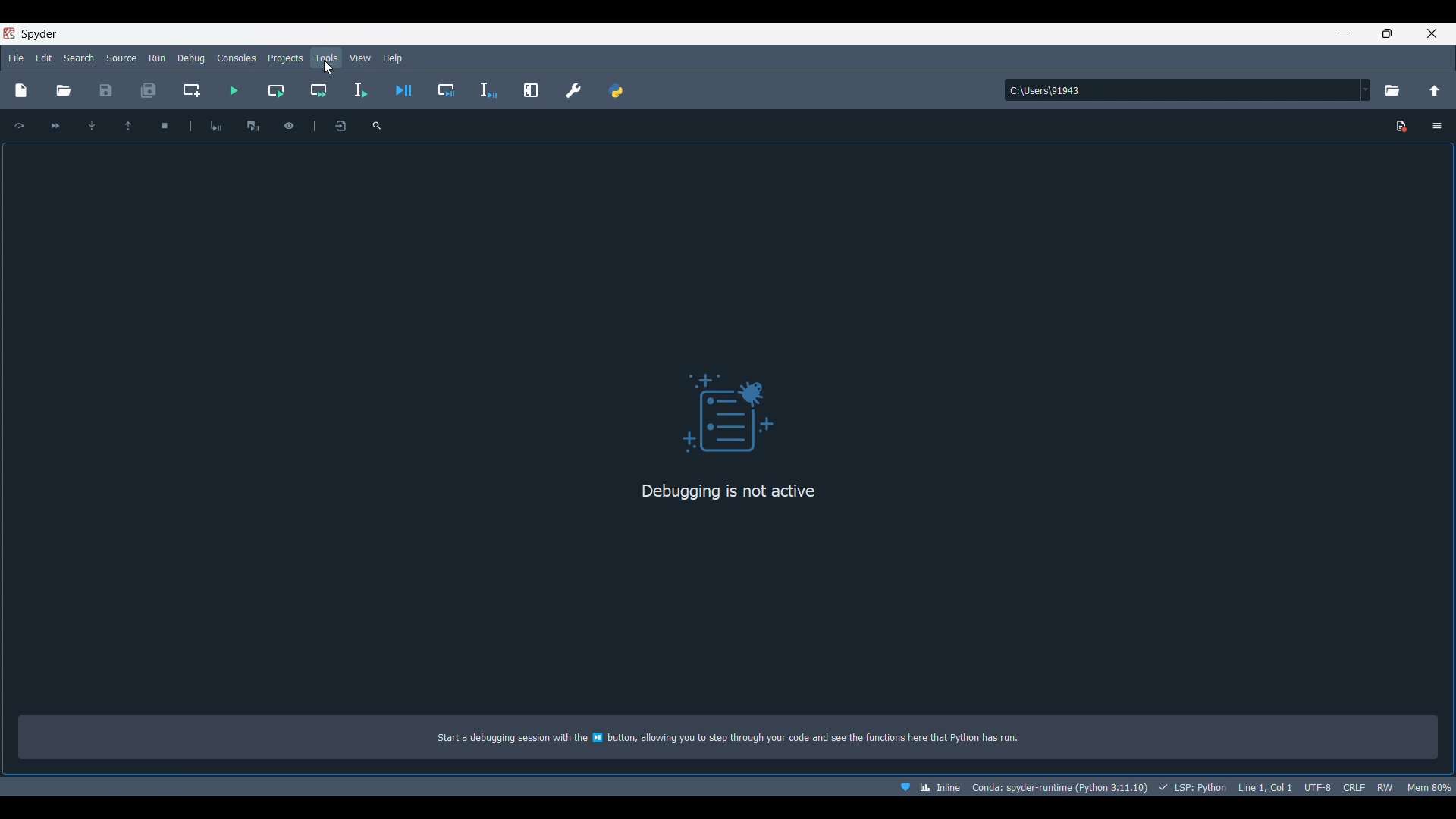 This screenshot has height=819, width=1456. Describe the element at coordinates (285, 58) in the screenshot. I see `Projects menu` at that location.